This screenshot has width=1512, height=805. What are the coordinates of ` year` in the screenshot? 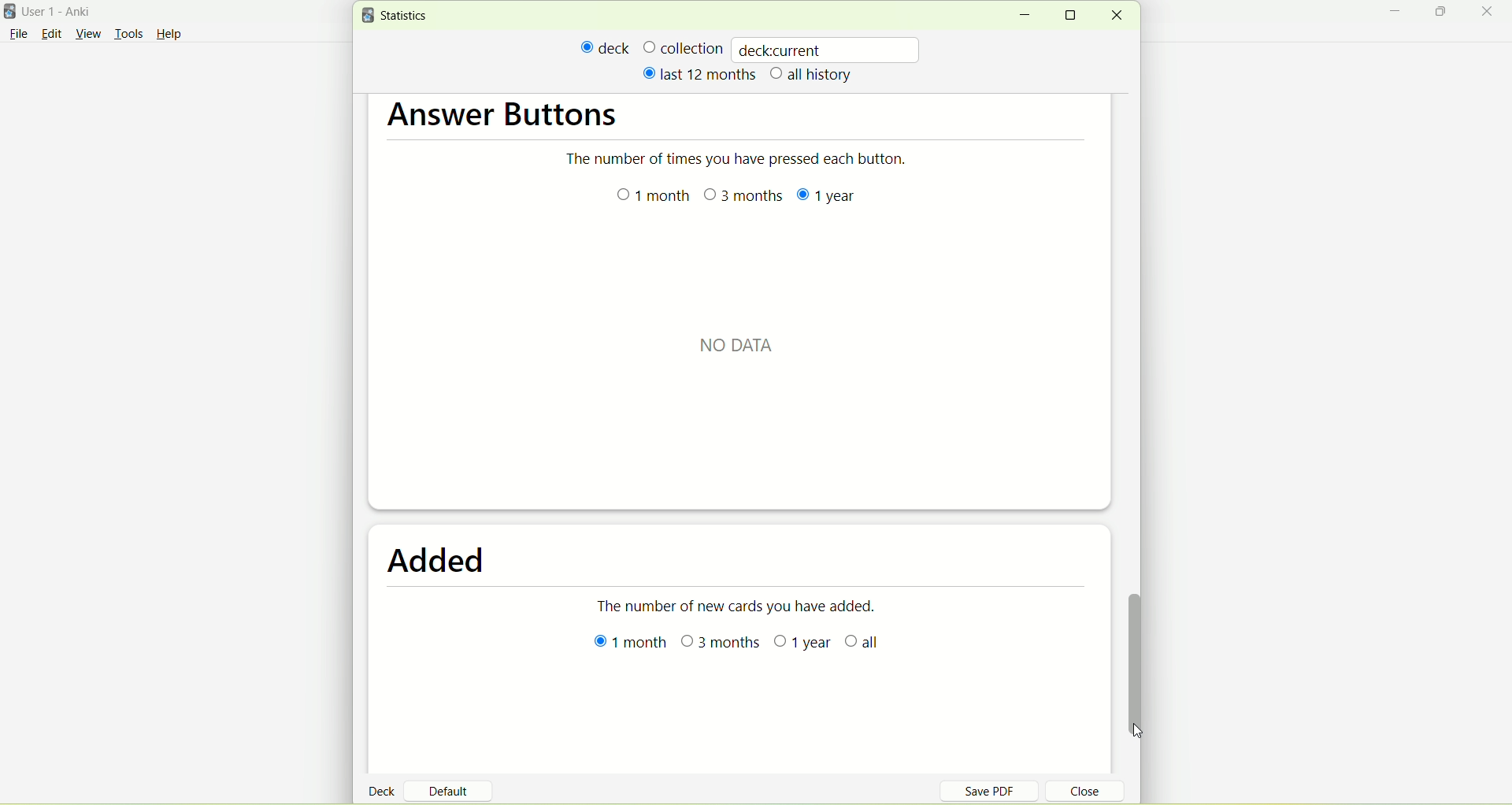 It's located at (821, 195).